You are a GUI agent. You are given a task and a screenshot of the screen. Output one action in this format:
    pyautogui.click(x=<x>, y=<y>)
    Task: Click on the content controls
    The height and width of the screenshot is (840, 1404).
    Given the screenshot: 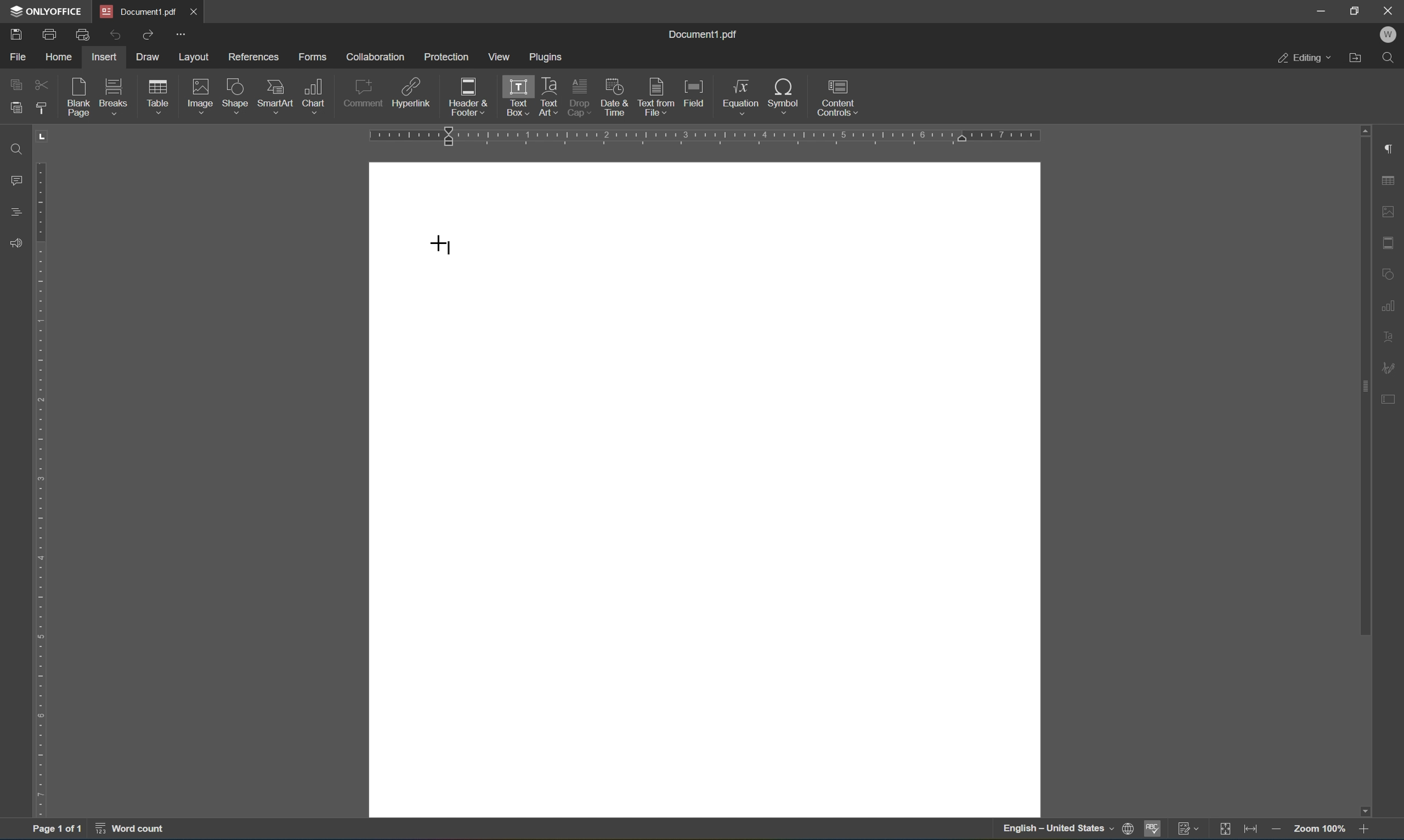 What is the action you would take?
    pyautogui.click(x=841, y=97)
    